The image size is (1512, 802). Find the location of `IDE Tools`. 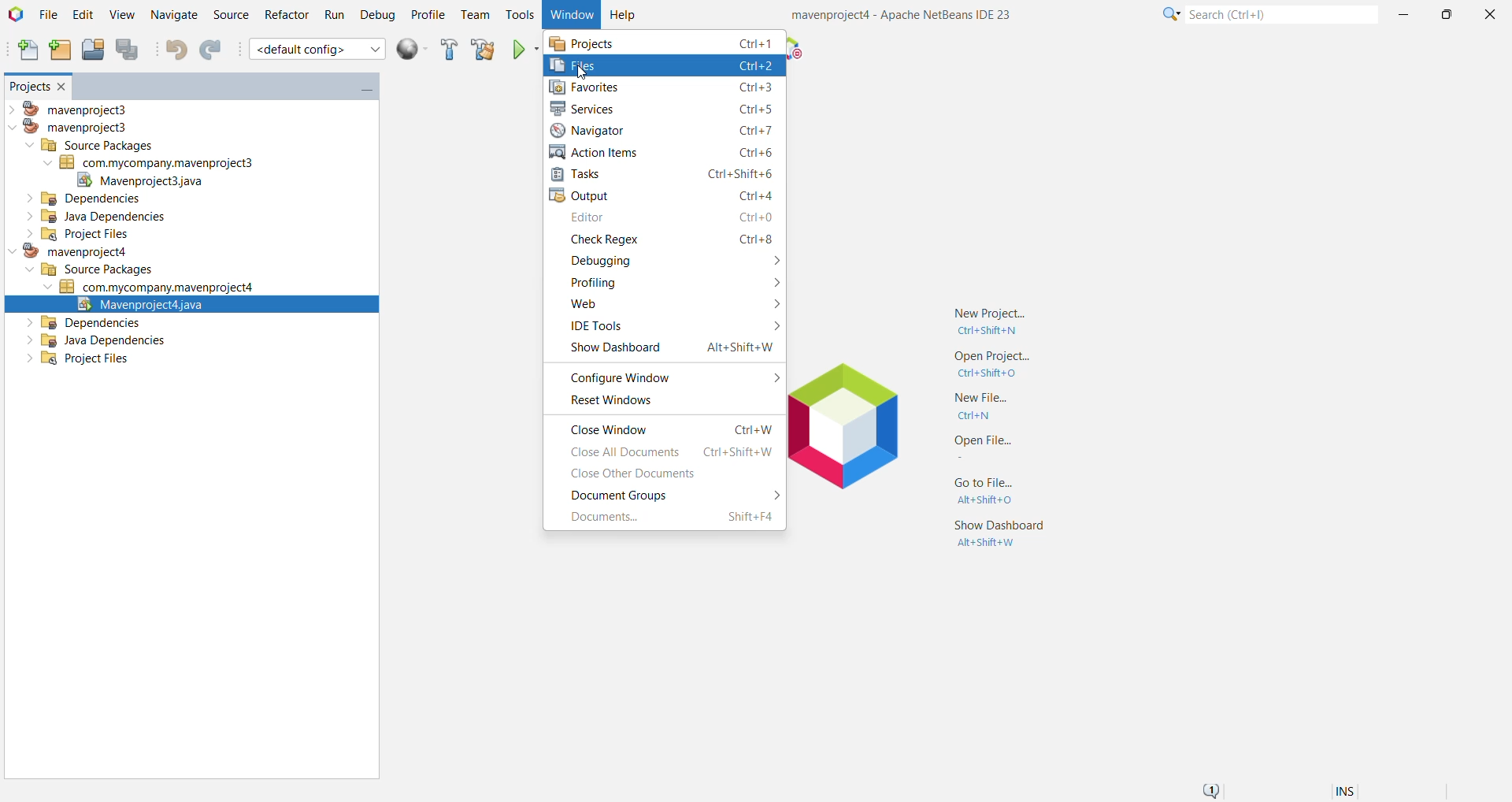

IDE Tools is located at coordinates (670, 326).